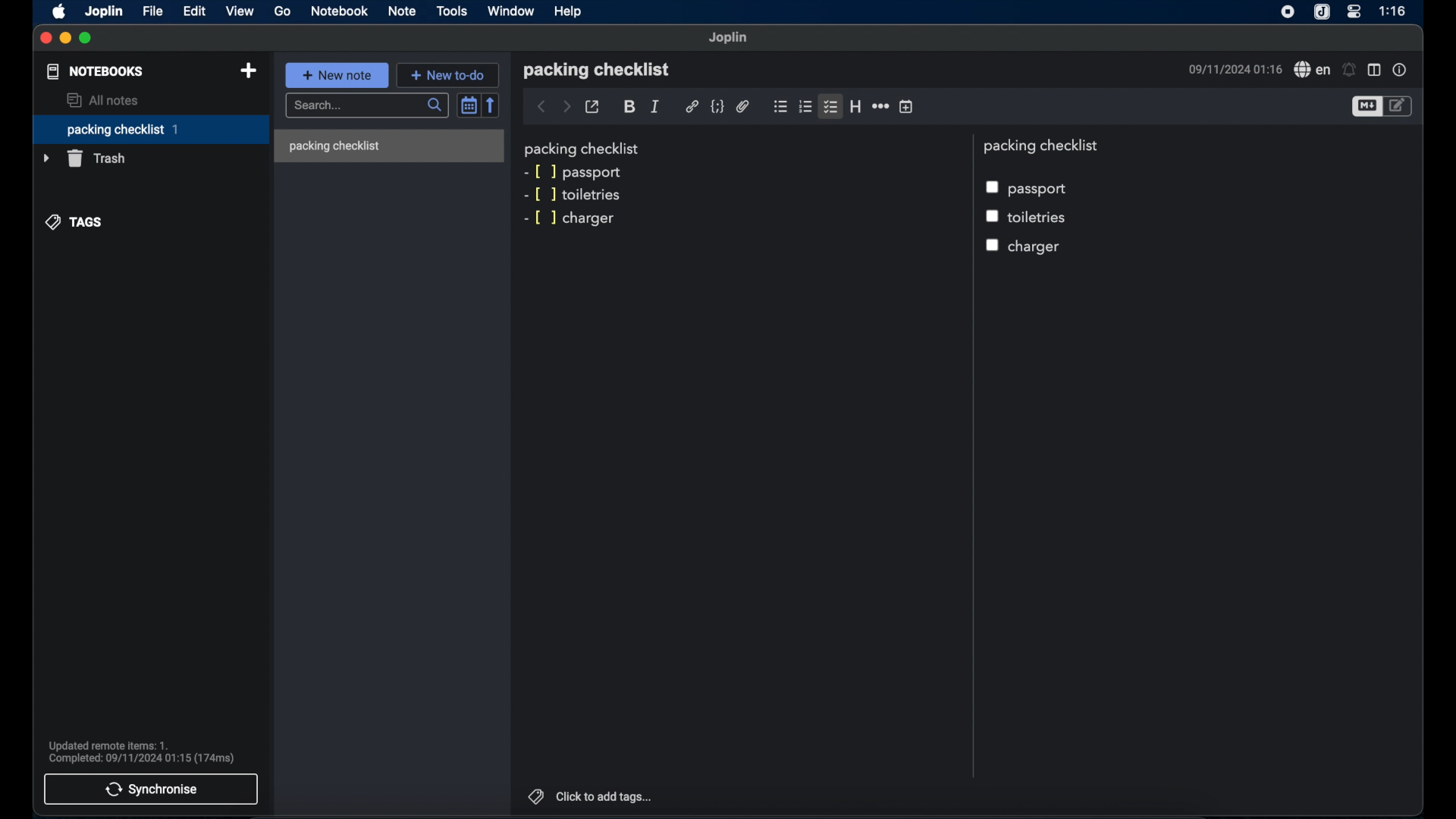 This screenshot has width=1456, height=819. What do you see at coordinates (248, 71) in the screenshot?
I see `new notebook` at bounding box center [248, 71].